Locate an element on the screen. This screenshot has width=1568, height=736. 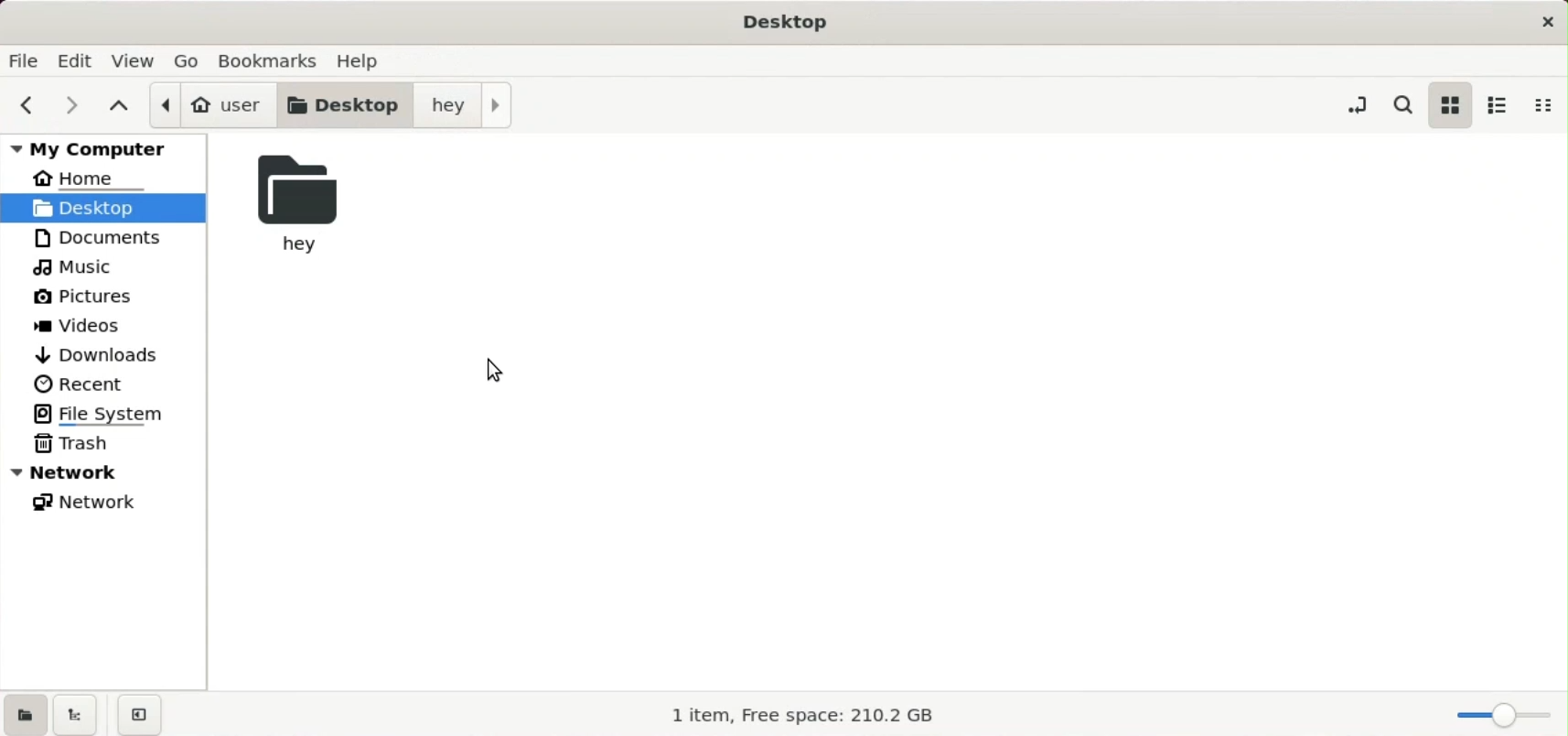
serch is located at coordinates (1405, 104).